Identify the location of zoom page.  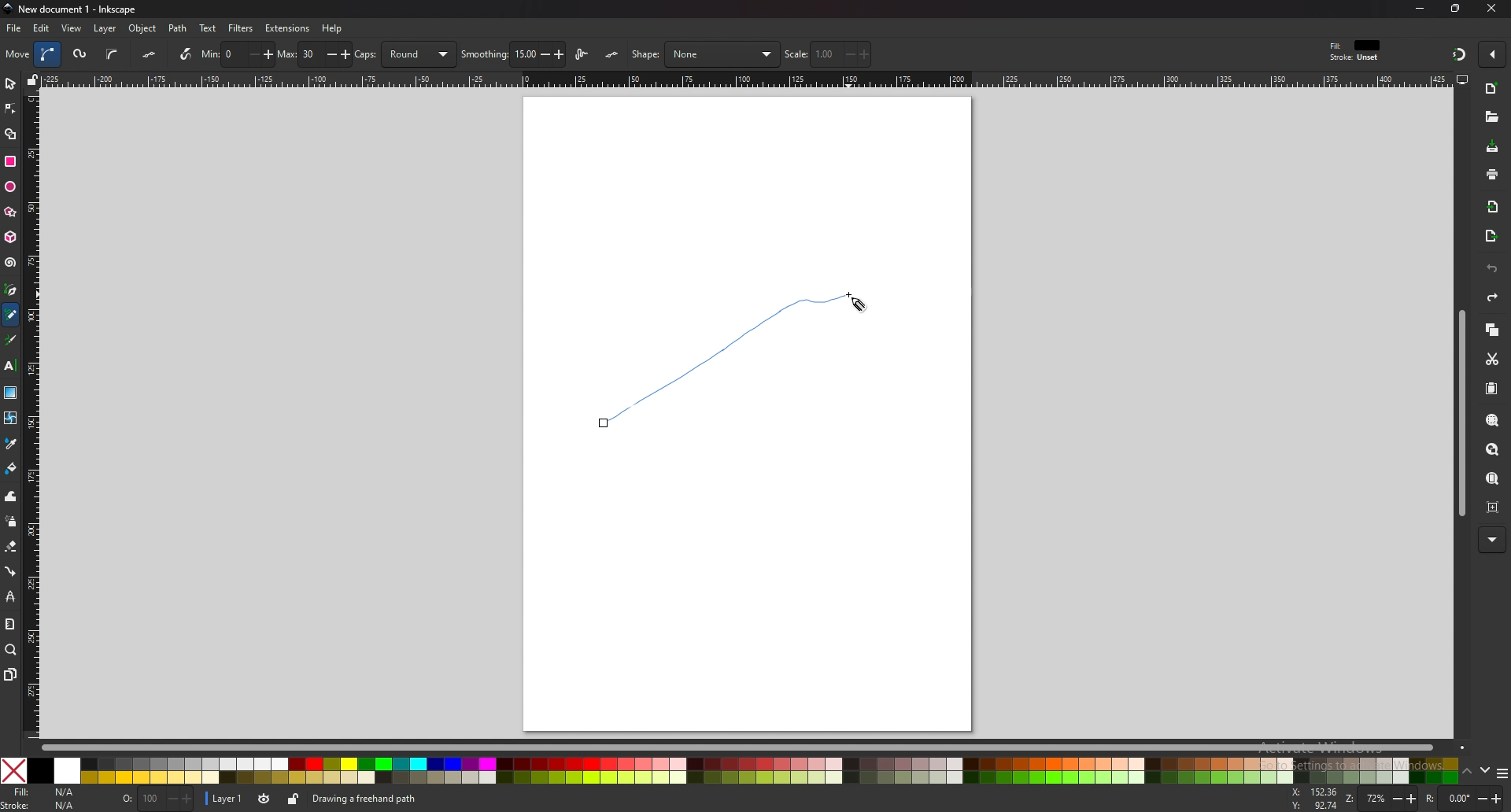
(1492, 478).